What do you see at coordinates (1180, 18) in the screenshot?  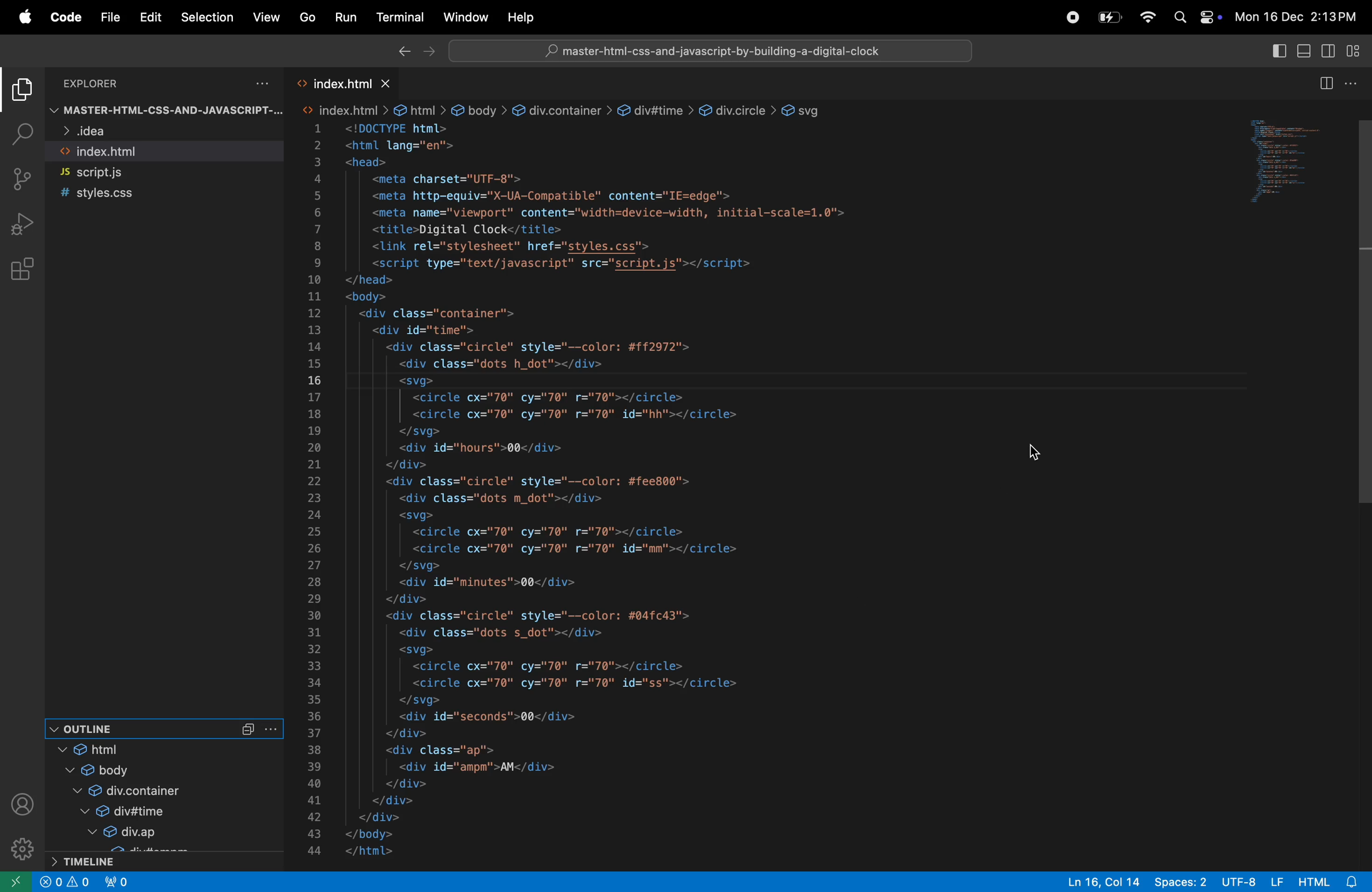 I see `search` at bounding box center [1180, 18].